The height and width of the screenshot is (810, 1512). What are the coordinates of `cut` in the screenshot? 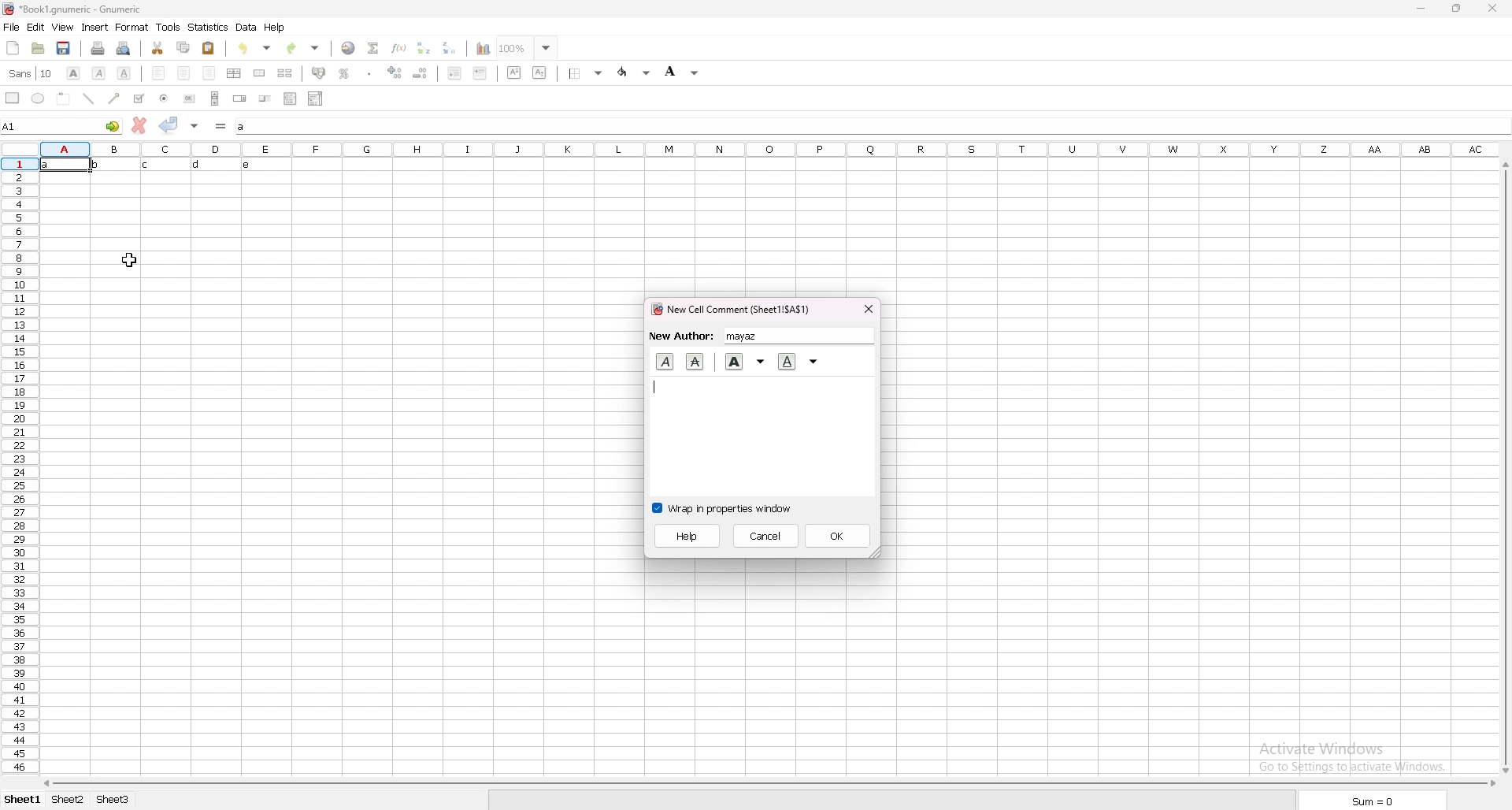 It's located at (157, 47).